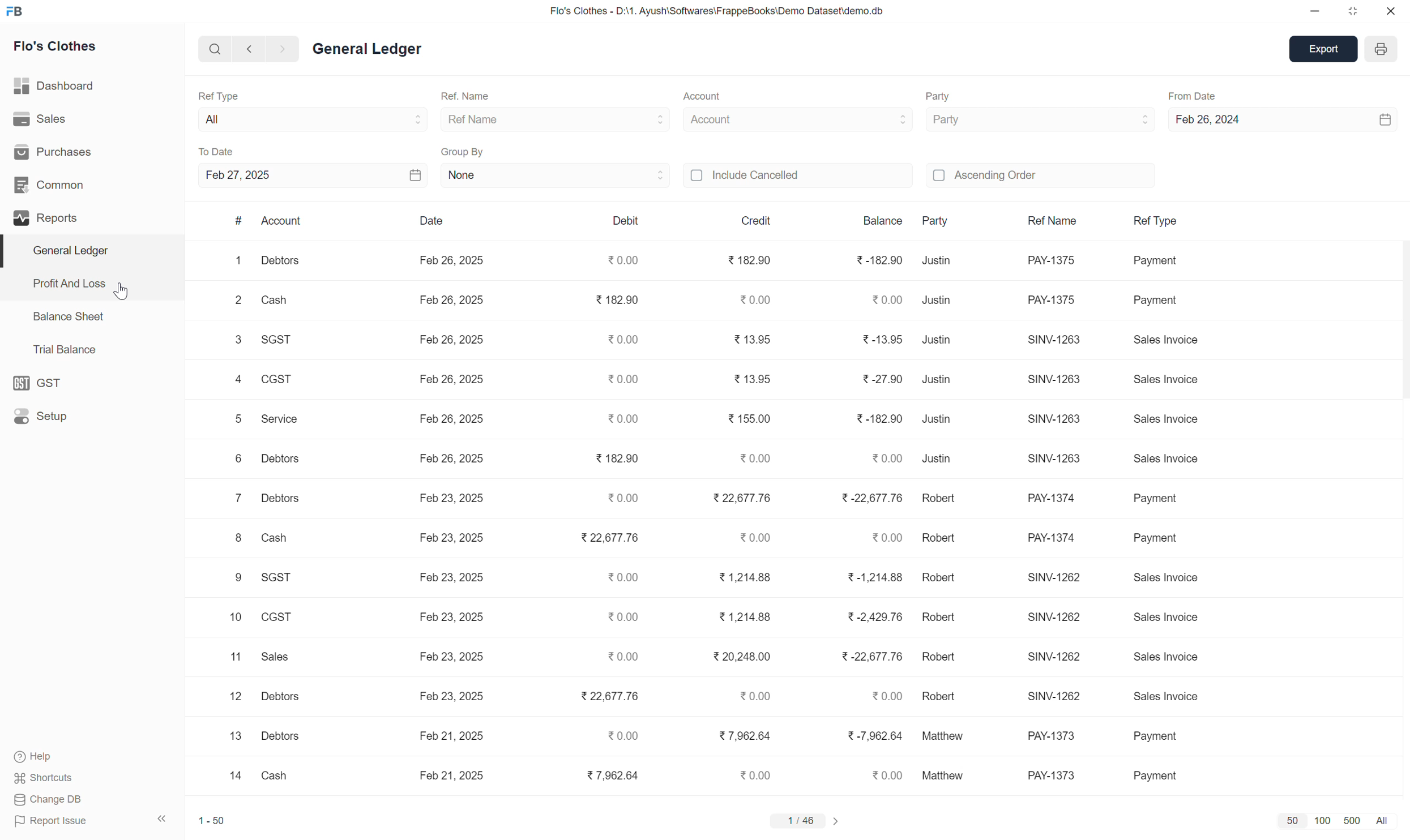 The height and width of the screenshot is (840, 1410). What do you see at coordinates (841, 824) in the screenshot?
I see `> next page` at bounding box center [841, 824].